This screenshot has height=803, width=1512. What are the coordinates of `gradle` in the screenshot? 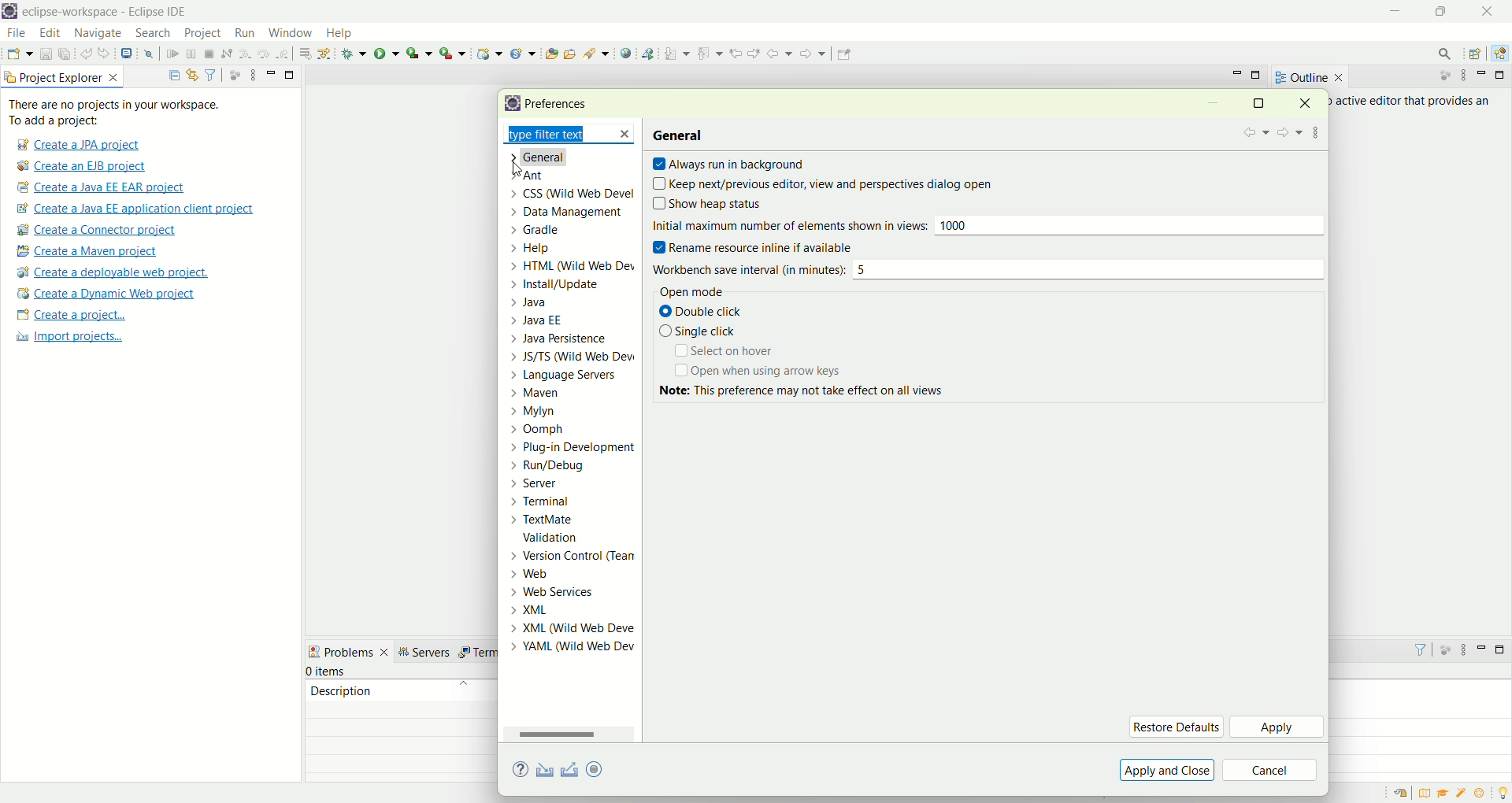 It's located at (569, 230).